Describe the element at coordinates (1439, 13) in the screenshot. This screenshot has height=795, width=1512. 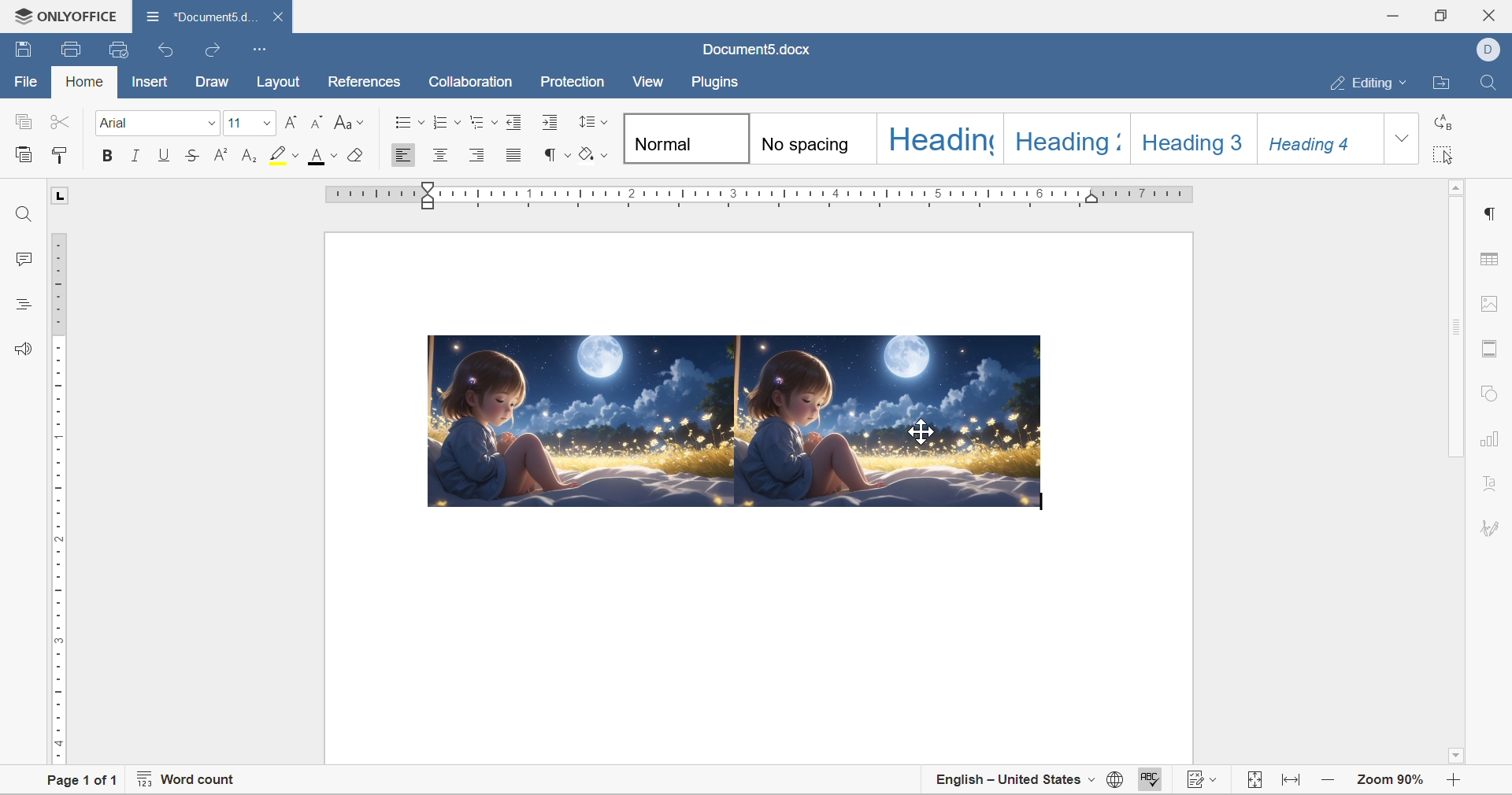
I see `restore down` at that location.